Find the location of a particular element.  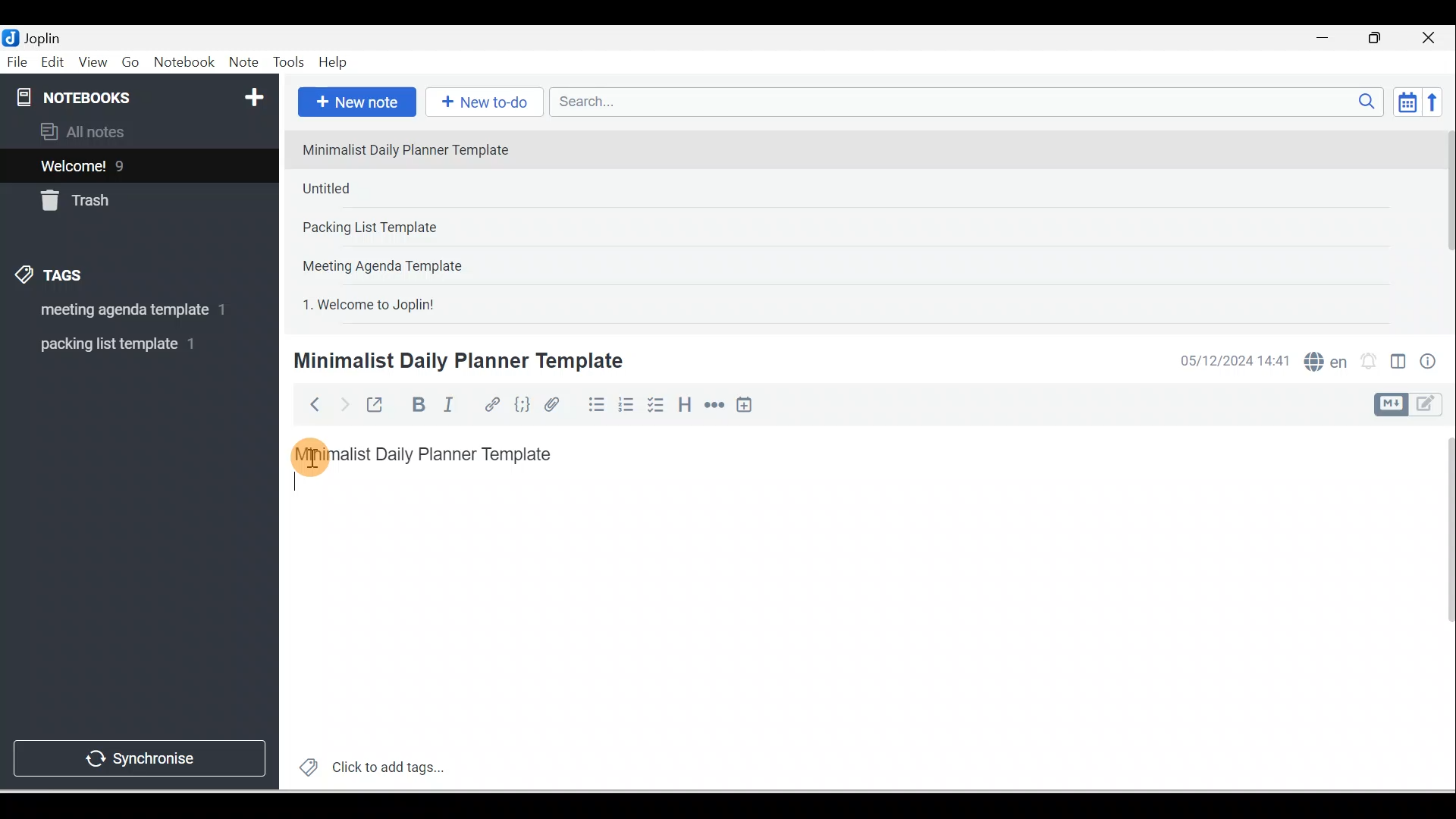

Go is located at coordinates (133, 63).